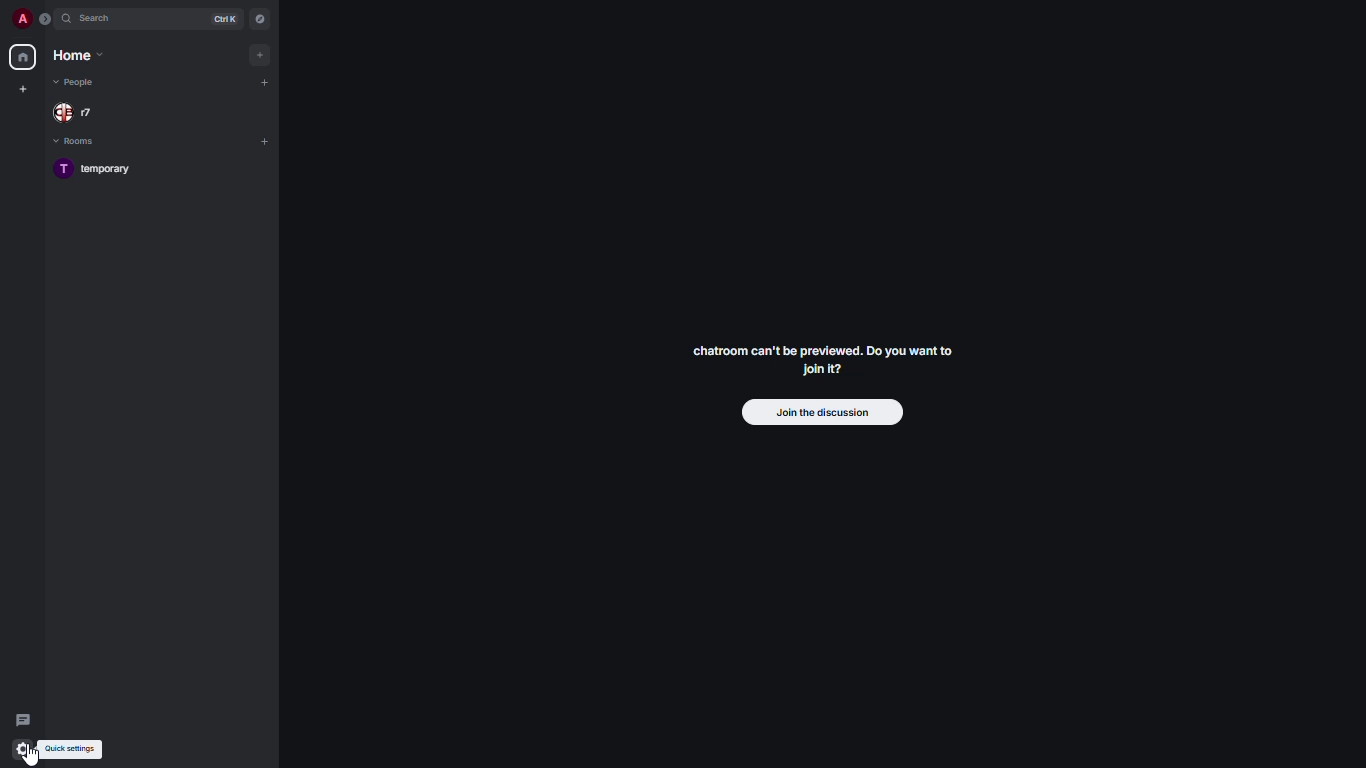 The width and height of the screenshot is (1366, 768). What do you see at coordinates (24, 88) in the screenshot?
I see `create new space` at bounding box center [24, 88].